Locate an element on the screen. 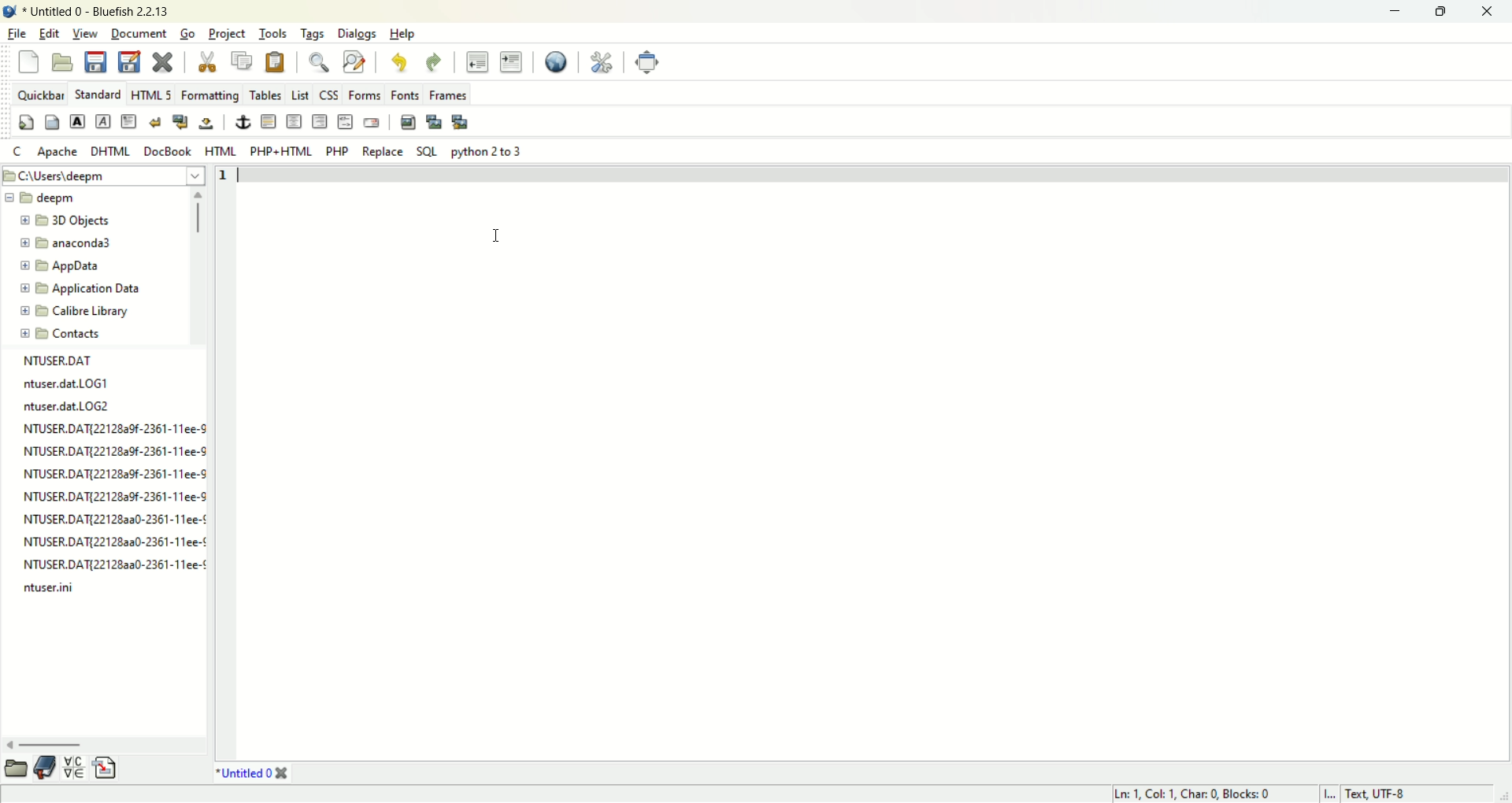  ln, col, char, blocks is located at coordinates (1194, 794).